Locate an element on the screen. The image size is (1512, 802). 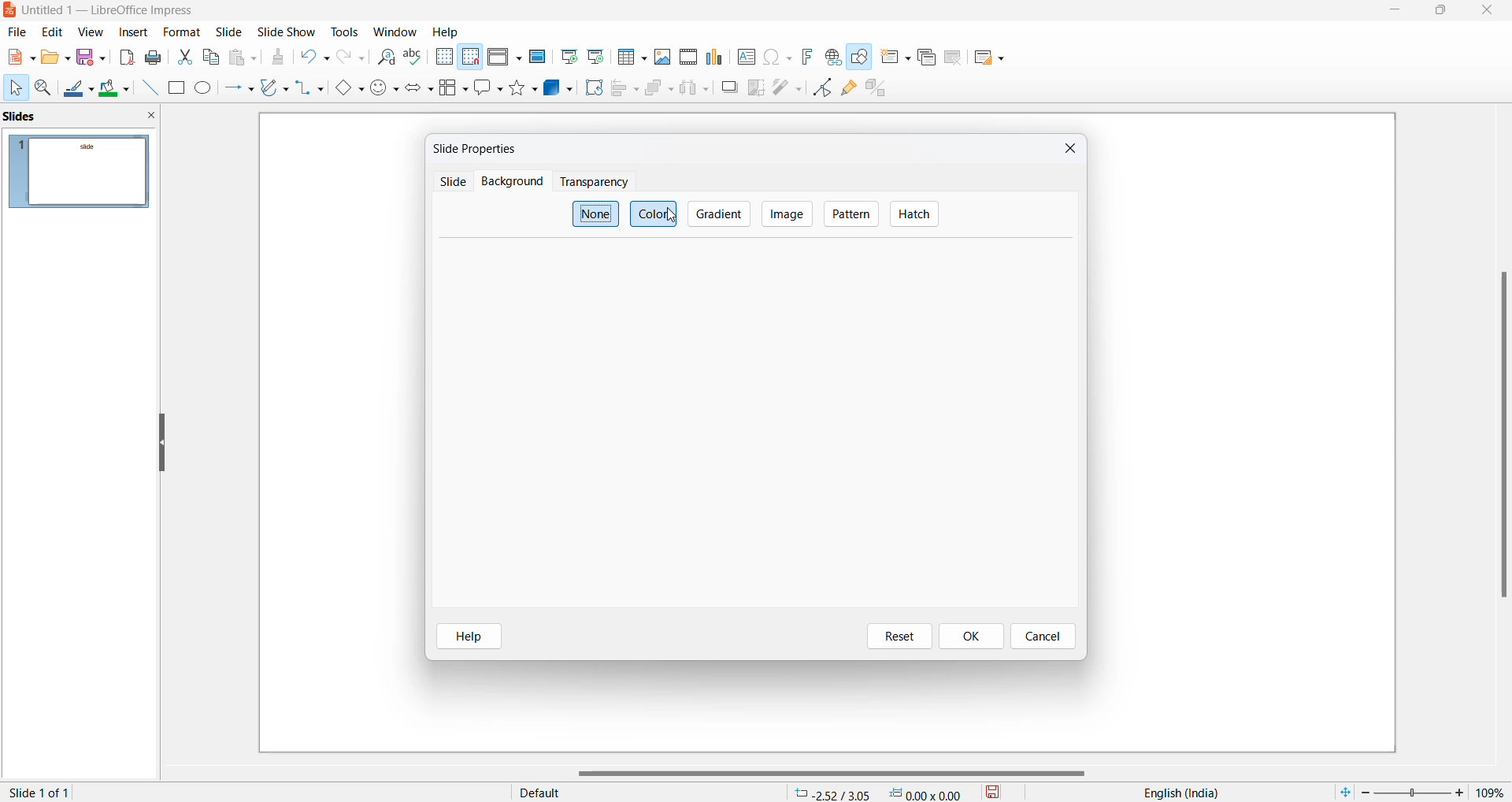
ok is located at coordinates (976, 636).